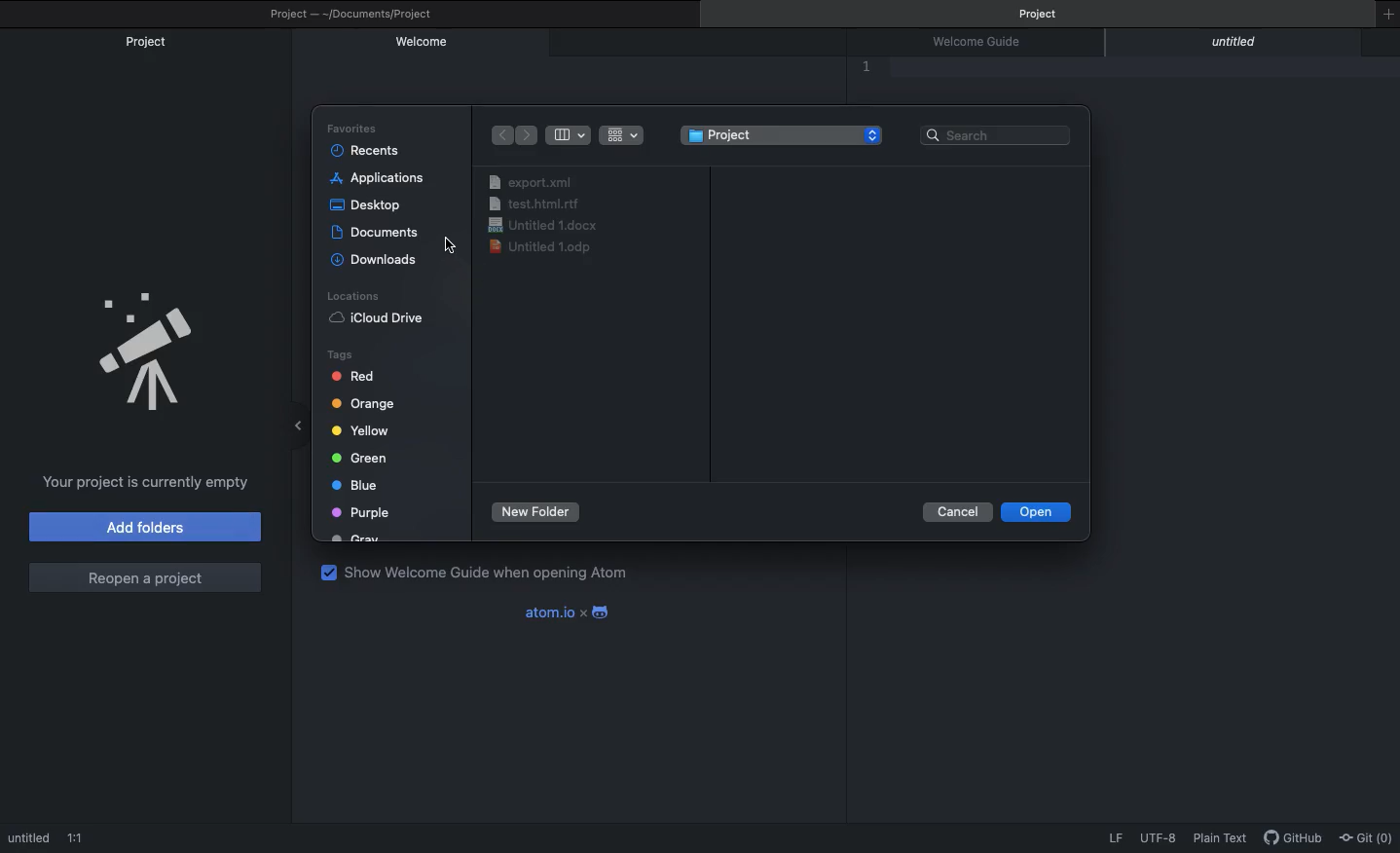  What do you see at coordinates (449, 241) in the screenshot?
I see `cursor` at bounding box center [449, 241].